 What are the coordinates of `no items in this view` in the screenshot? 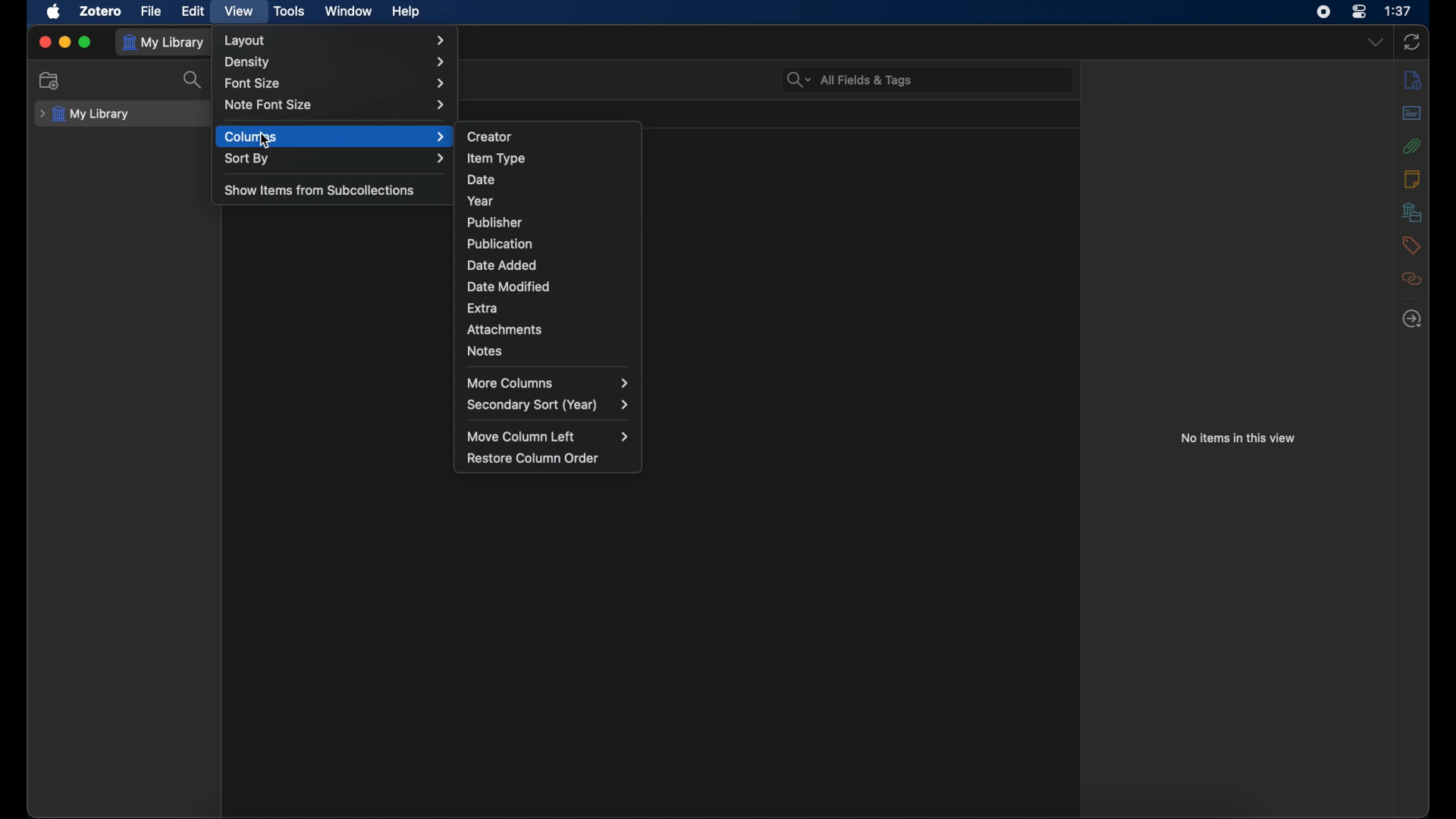 It's located at (1238, 438).